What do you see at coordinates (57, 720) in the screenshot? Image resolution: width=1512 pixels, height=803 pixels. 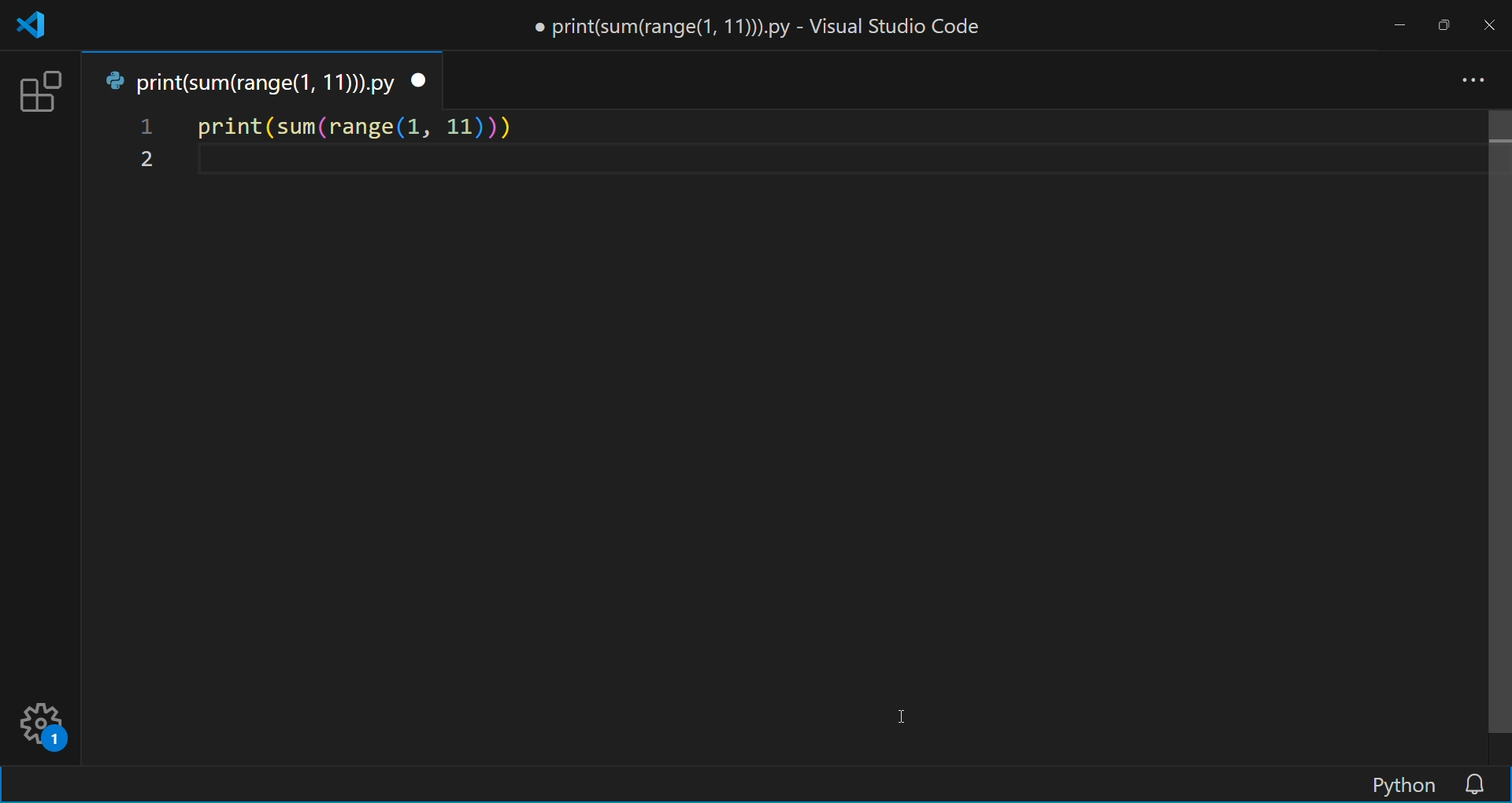 I see `settings` at bounding box center [57, 720].